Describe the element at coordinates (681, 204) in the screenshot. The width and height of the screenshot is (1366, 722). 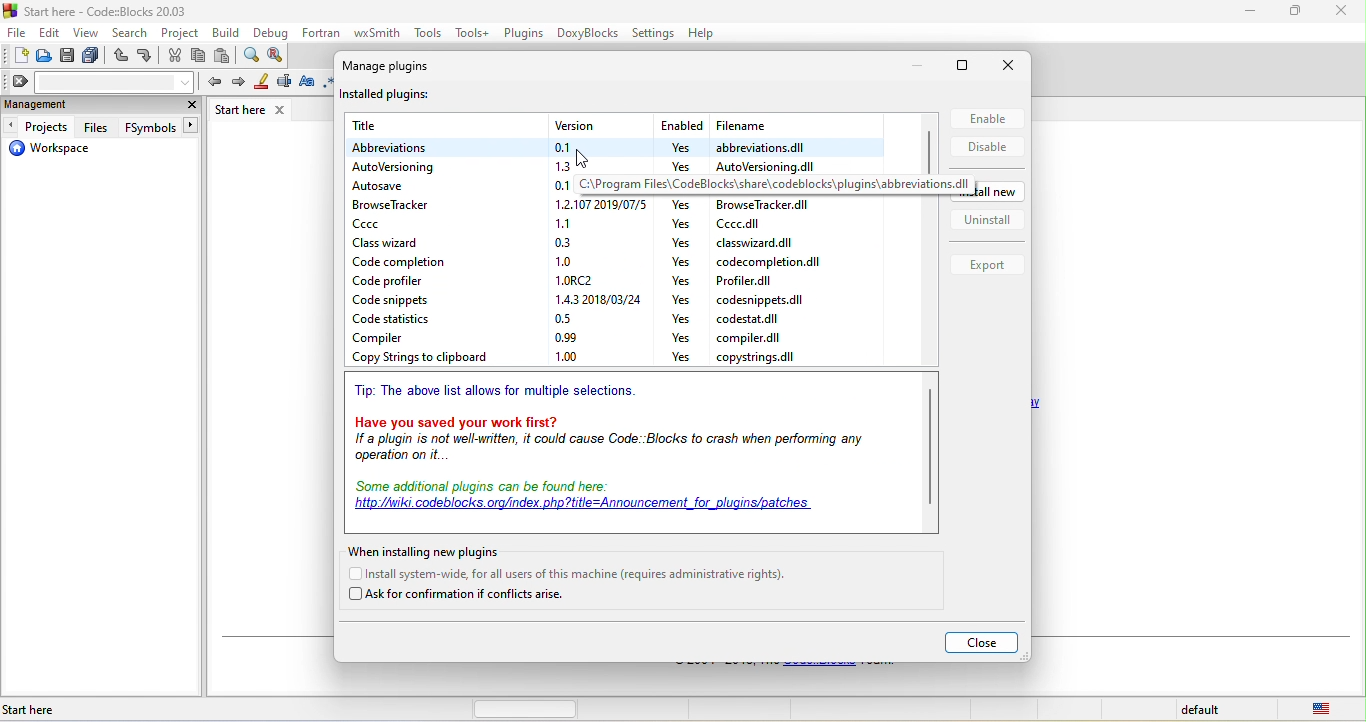
I see `yes` at that location.